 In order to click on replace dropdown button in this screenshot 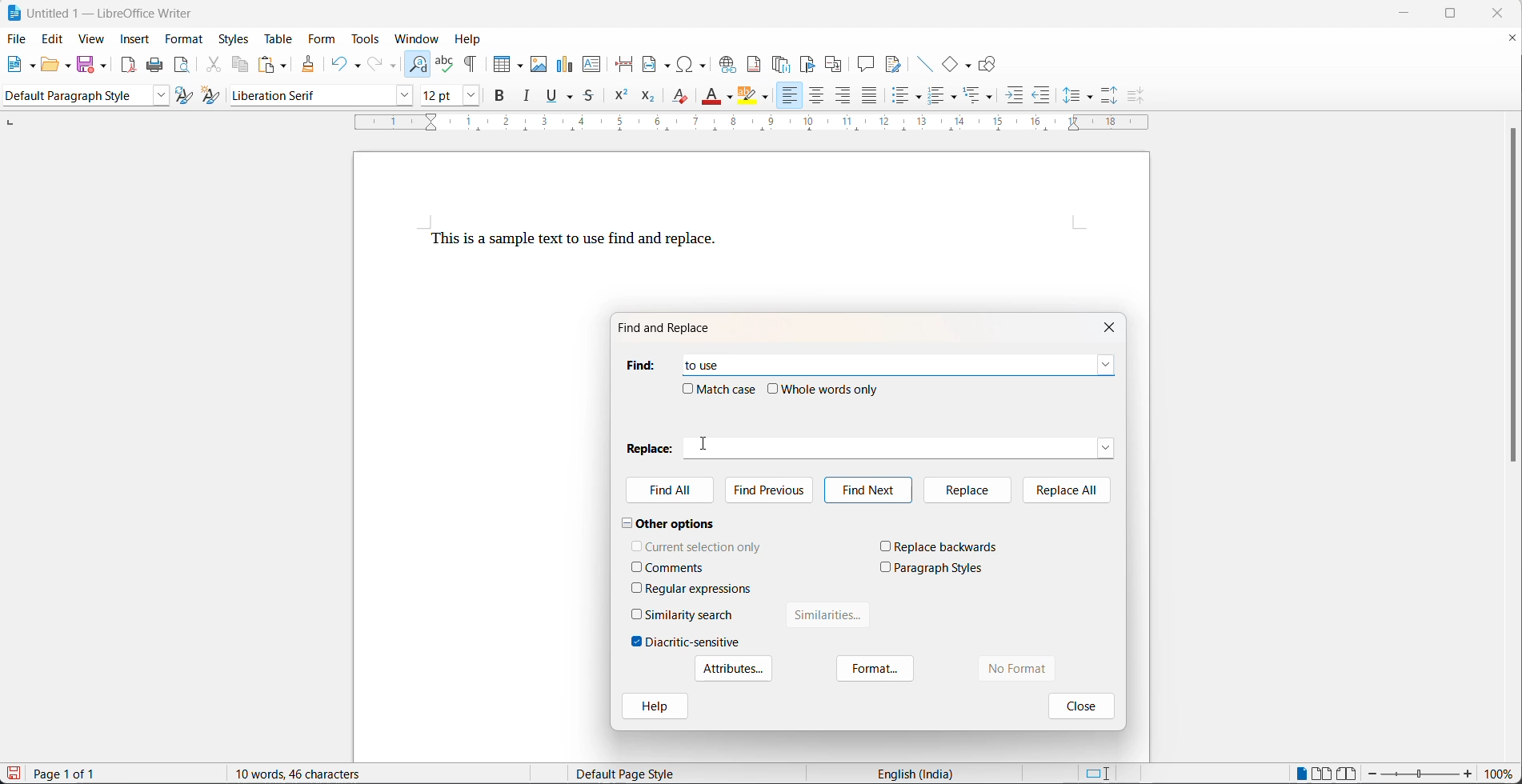, I will do `click(1107, 446)`.